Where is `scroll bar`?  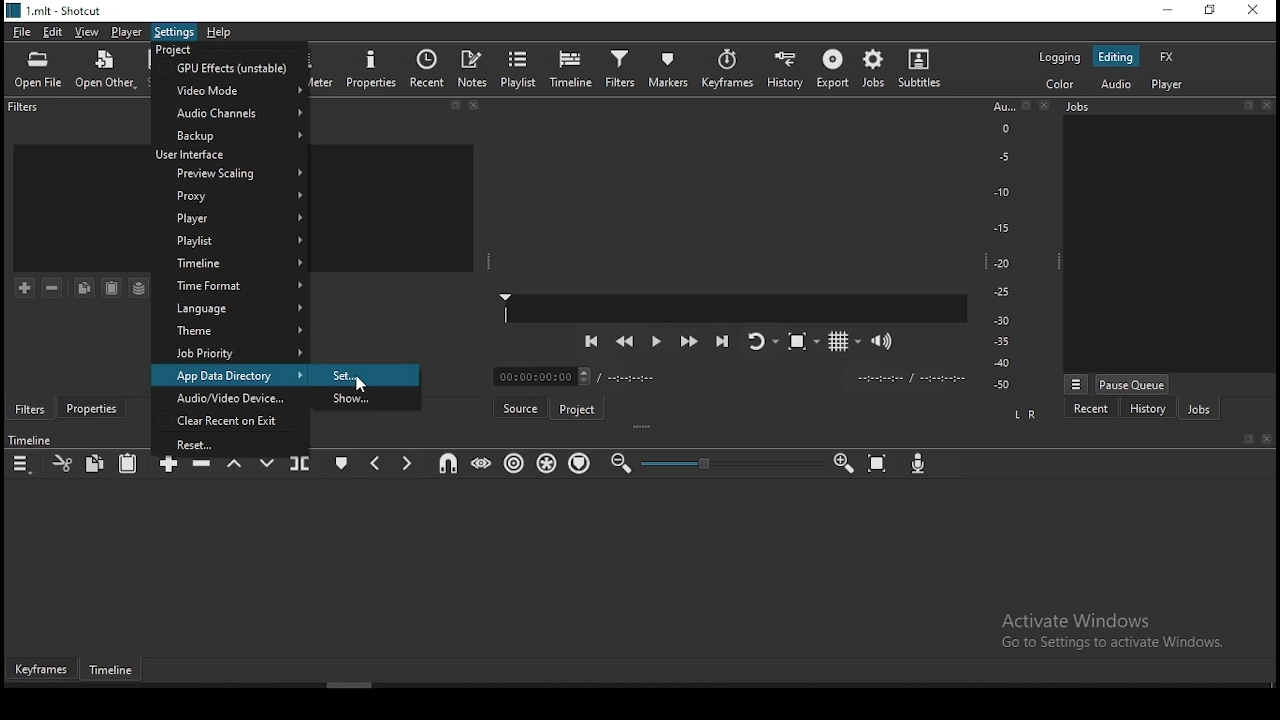
scroll bar is located at coordinates (378, 686).